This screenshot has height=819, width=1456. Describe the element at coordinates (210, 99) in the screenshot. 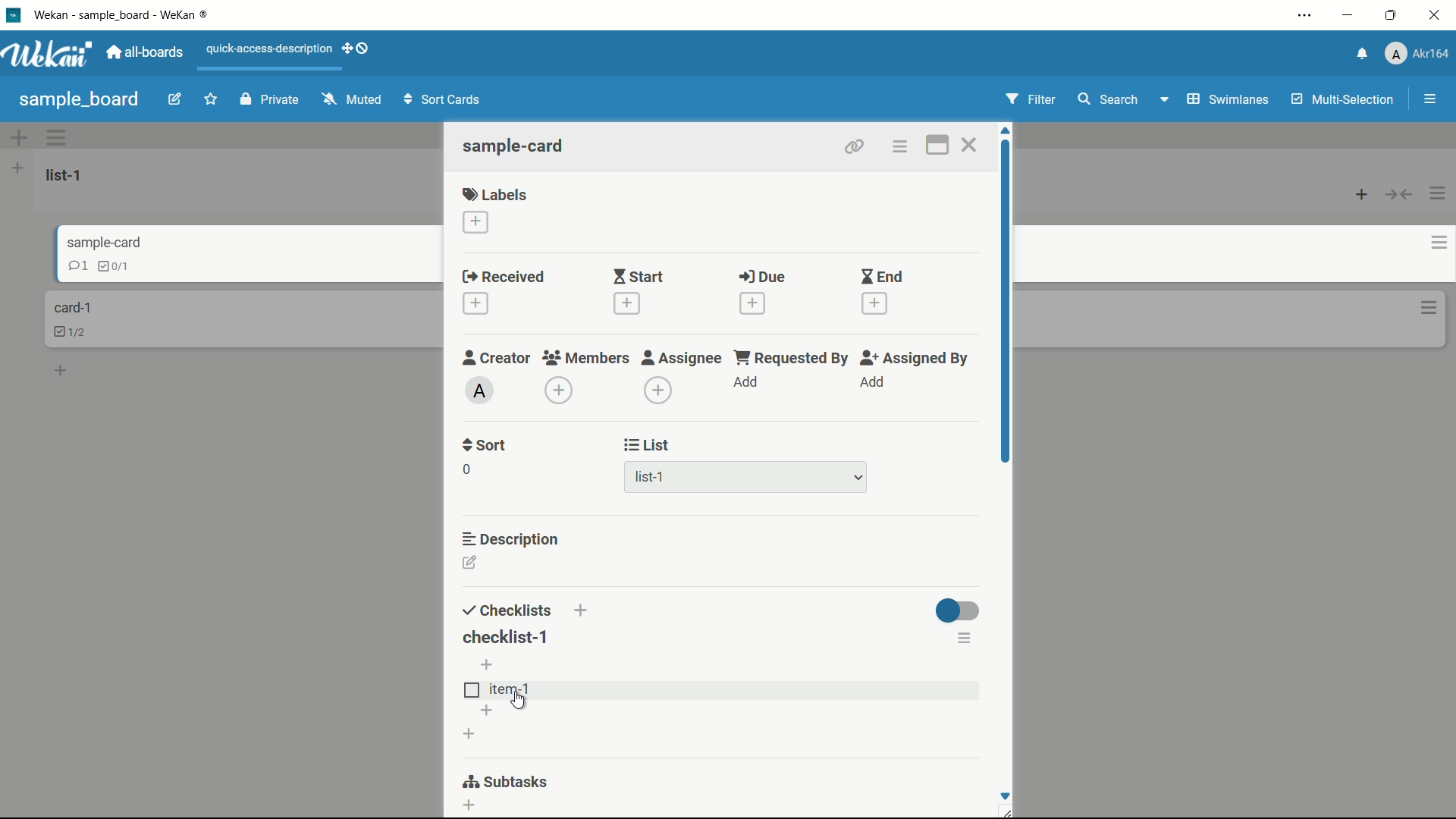

I see `star` at that location.